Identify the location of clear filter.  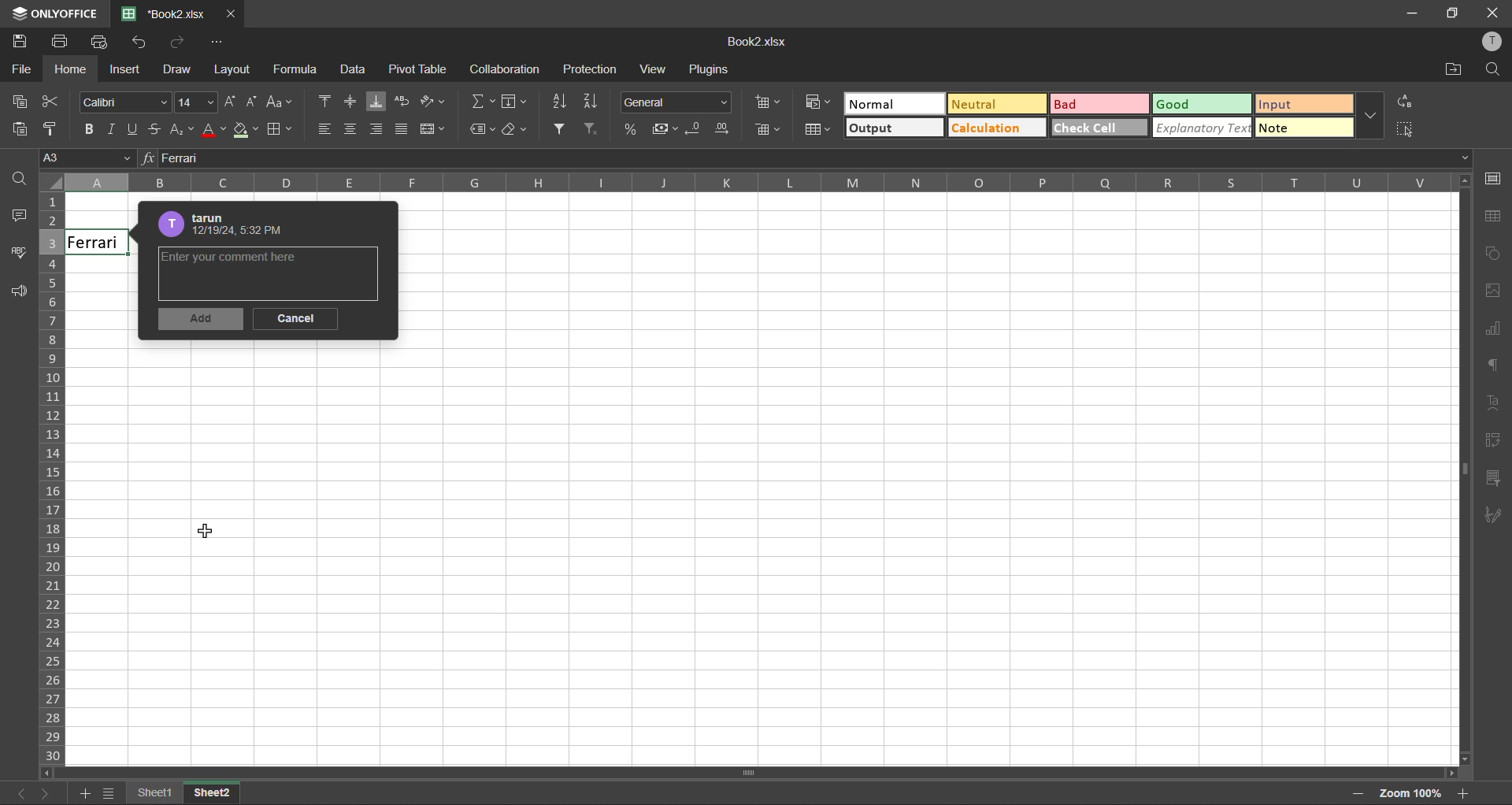
(593, 129).